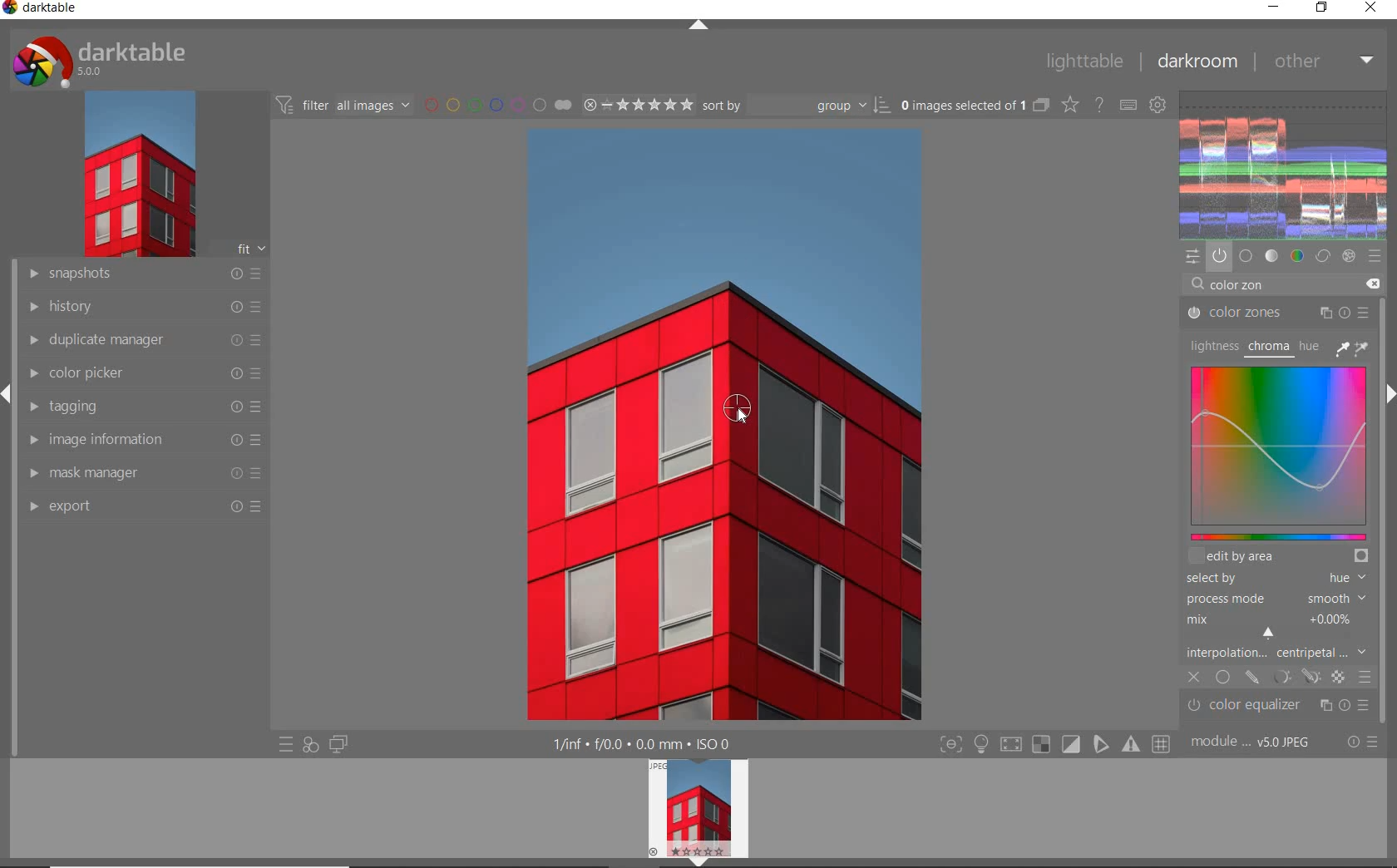 The width and height of the screenshot is (1397, 868). What do you see at coordinates (1100, 104) in the screenshot?
I see `enable for online help` at bounding box center [1100, 104].